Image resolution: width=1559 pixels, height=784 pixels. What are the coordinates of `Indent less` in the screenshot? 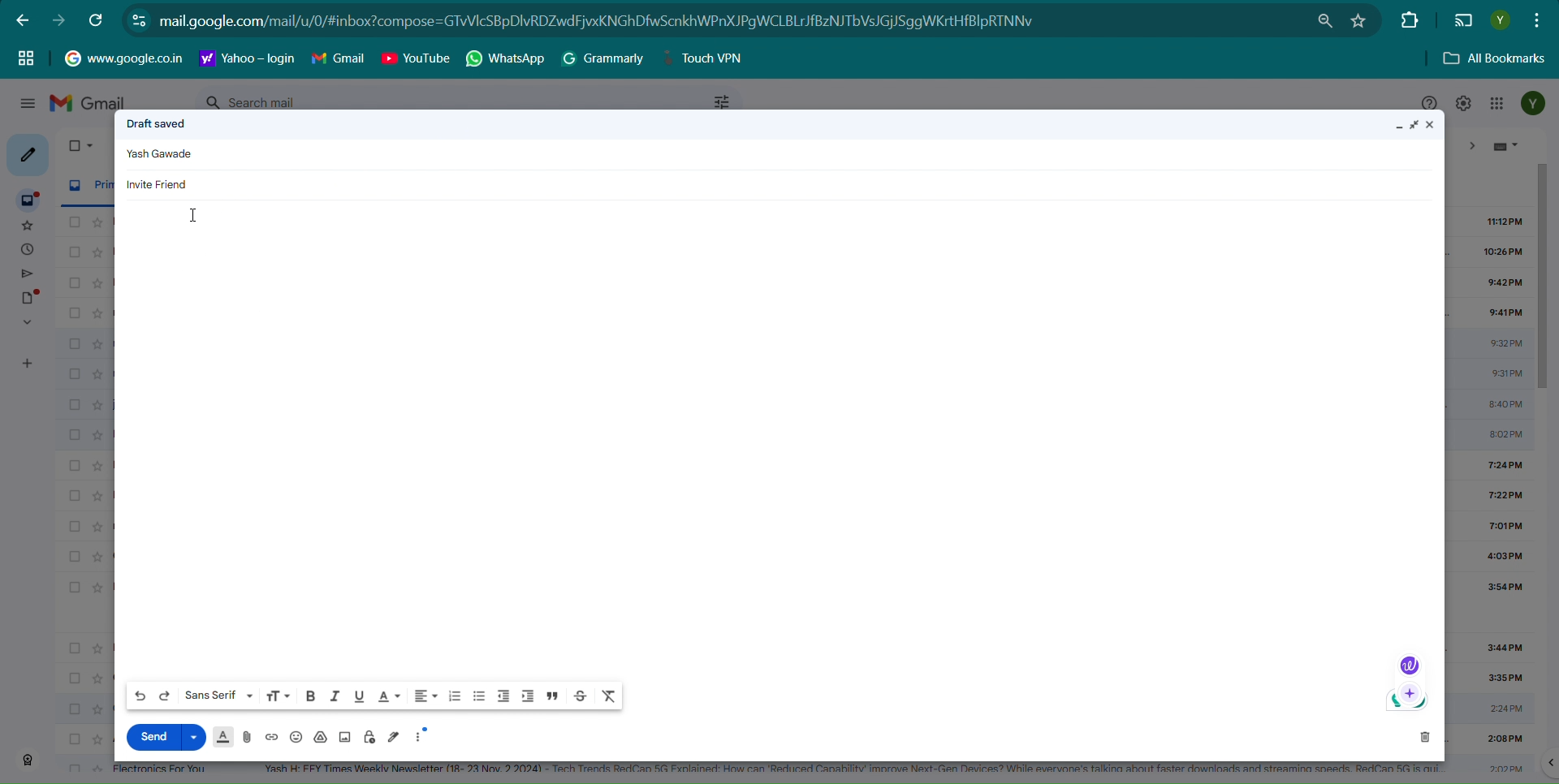 It's located at (503, 696).